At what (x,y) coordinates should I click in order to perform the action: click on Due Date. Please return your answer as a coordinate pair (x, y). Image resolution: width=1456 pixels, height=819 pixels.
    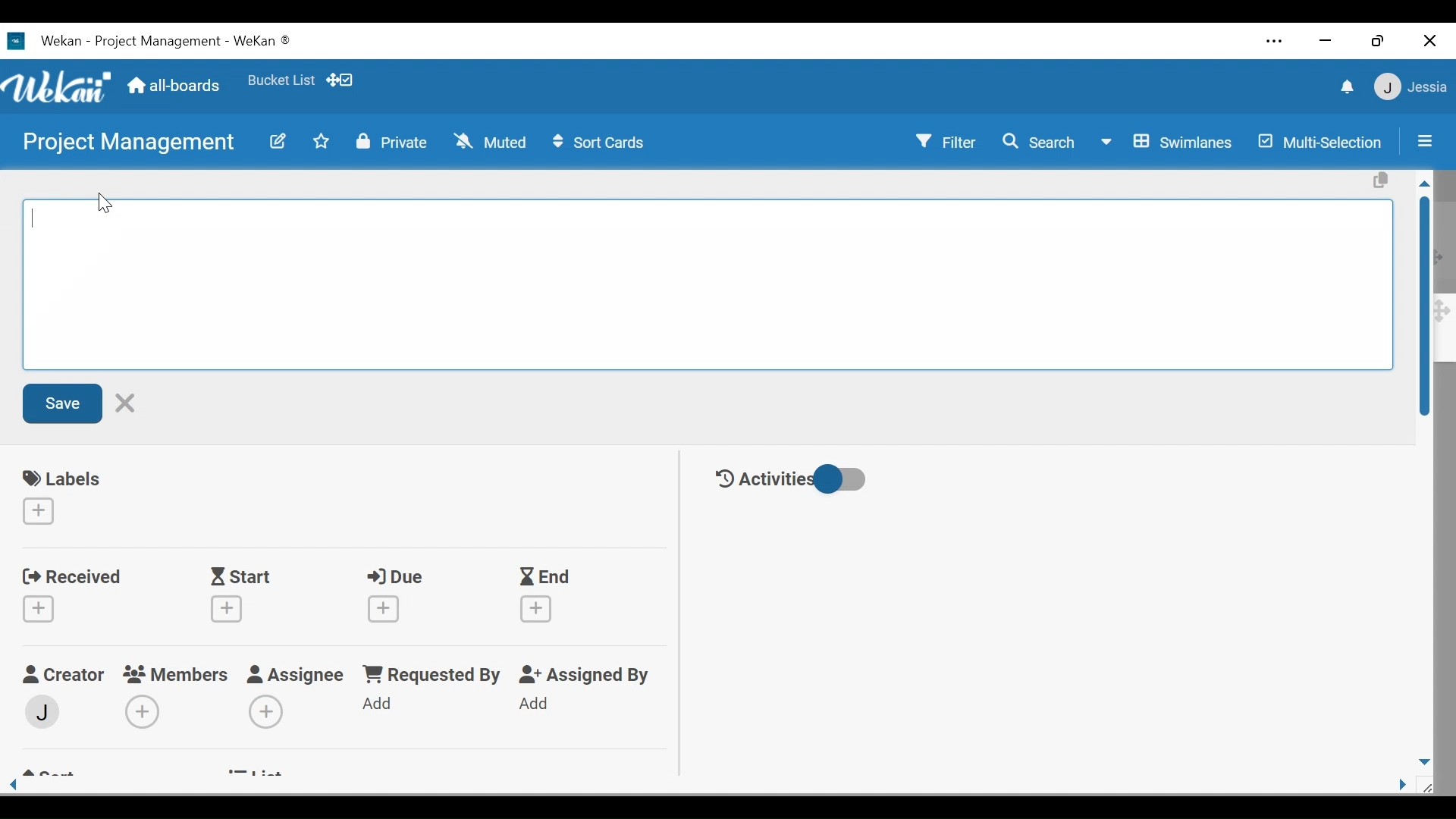
    Looking at the image, I should click on (394, 576).